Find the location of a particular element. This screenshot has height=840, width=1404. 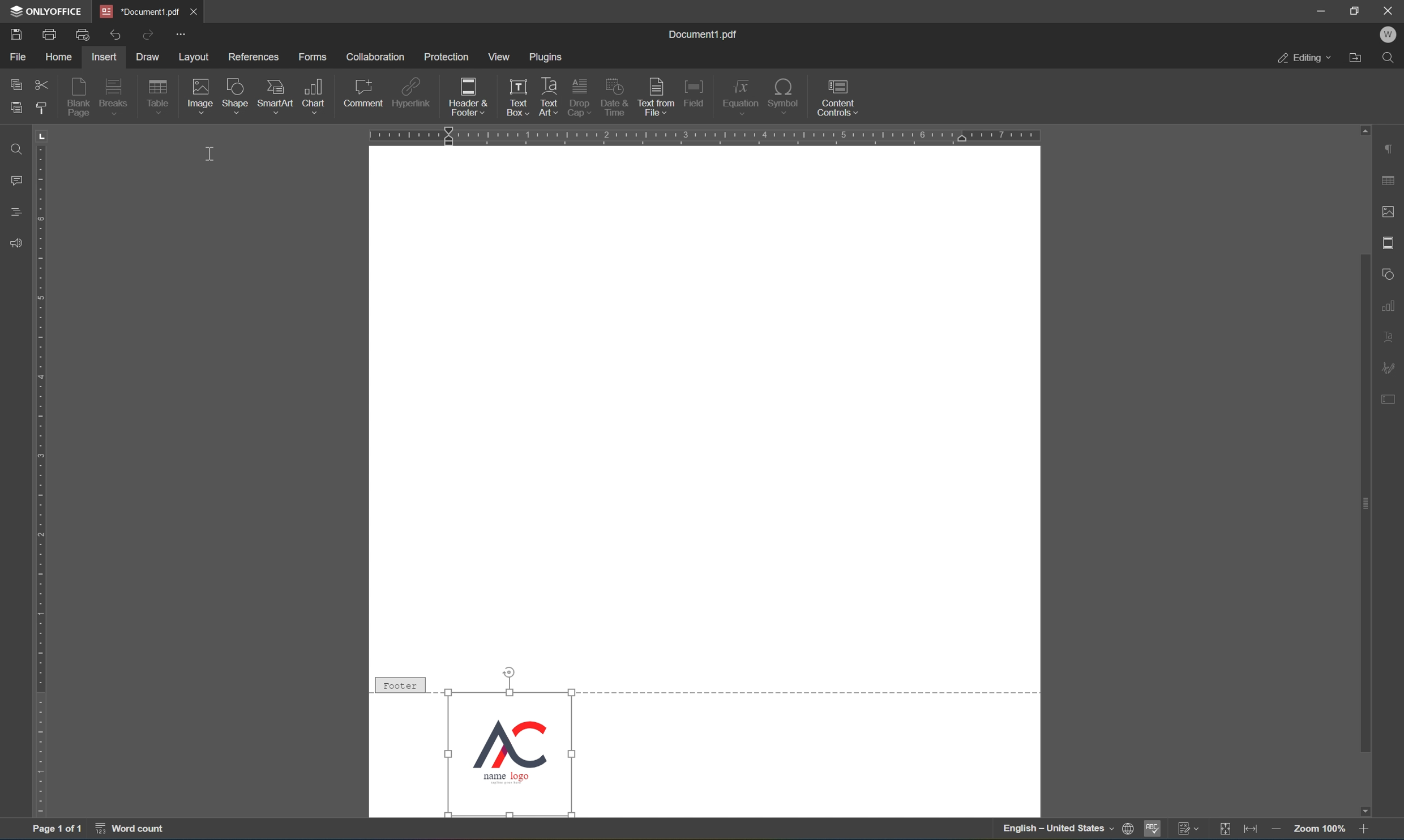

chart is located at coordinates (315, 95).